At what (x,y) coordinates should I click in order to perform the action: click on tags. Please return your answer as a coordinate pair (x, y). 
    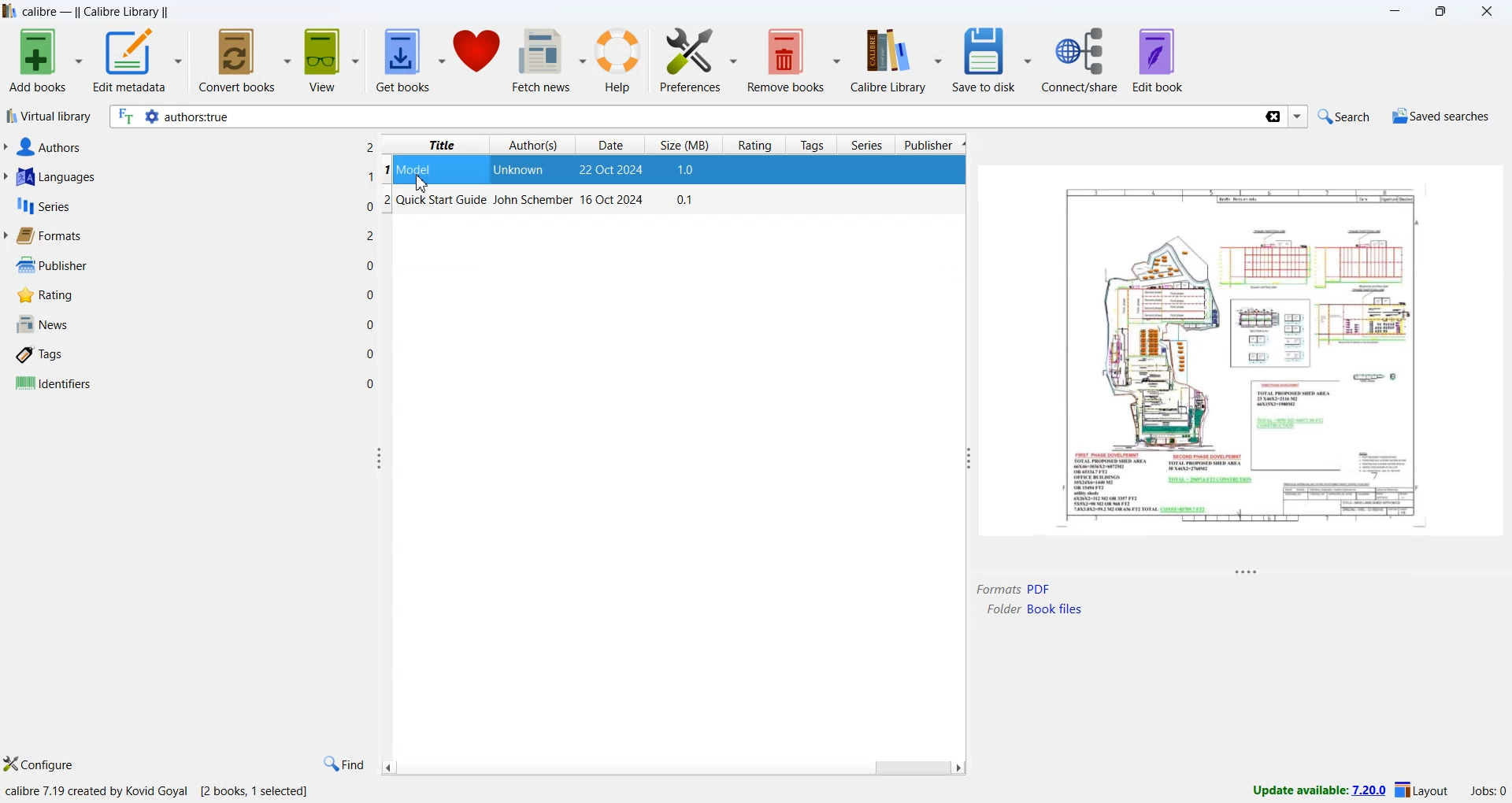
    Looking at the image, I should click on (42, 356).